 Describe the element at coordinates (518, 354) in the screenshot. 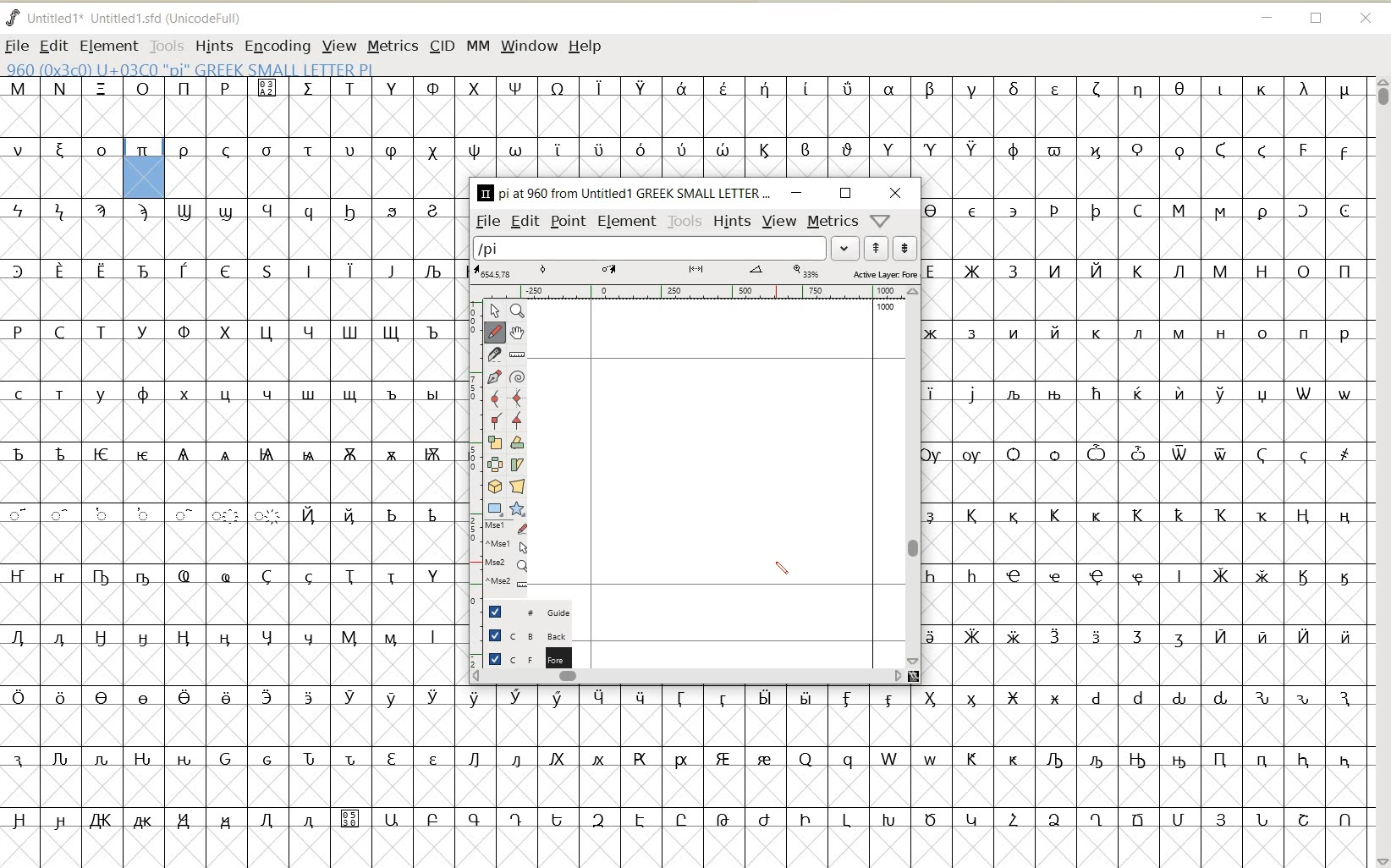

I see `measure a distance, angle between points` at that location.